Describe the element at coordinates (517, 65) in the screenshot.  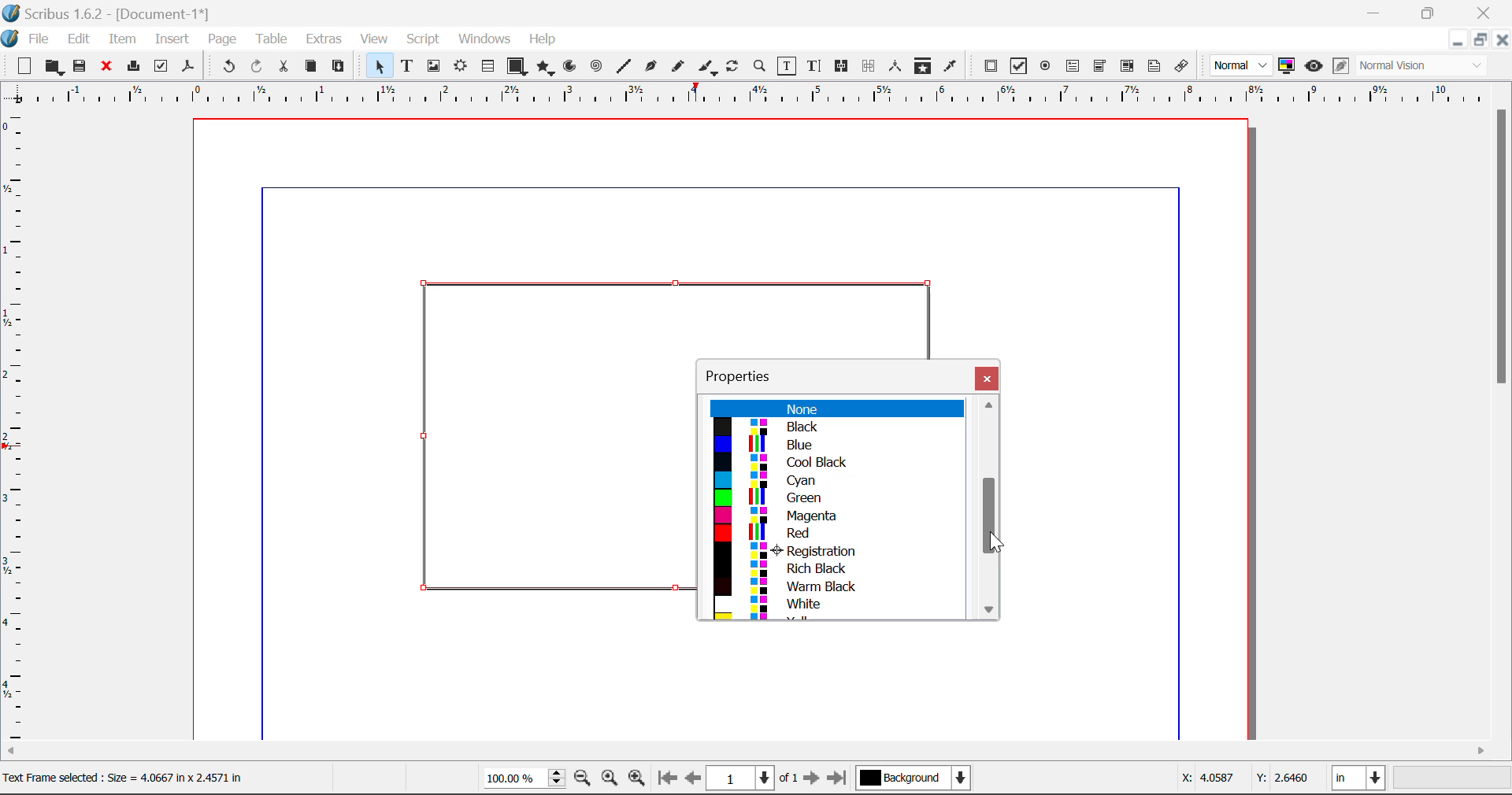
I see `Shapes` at that location.